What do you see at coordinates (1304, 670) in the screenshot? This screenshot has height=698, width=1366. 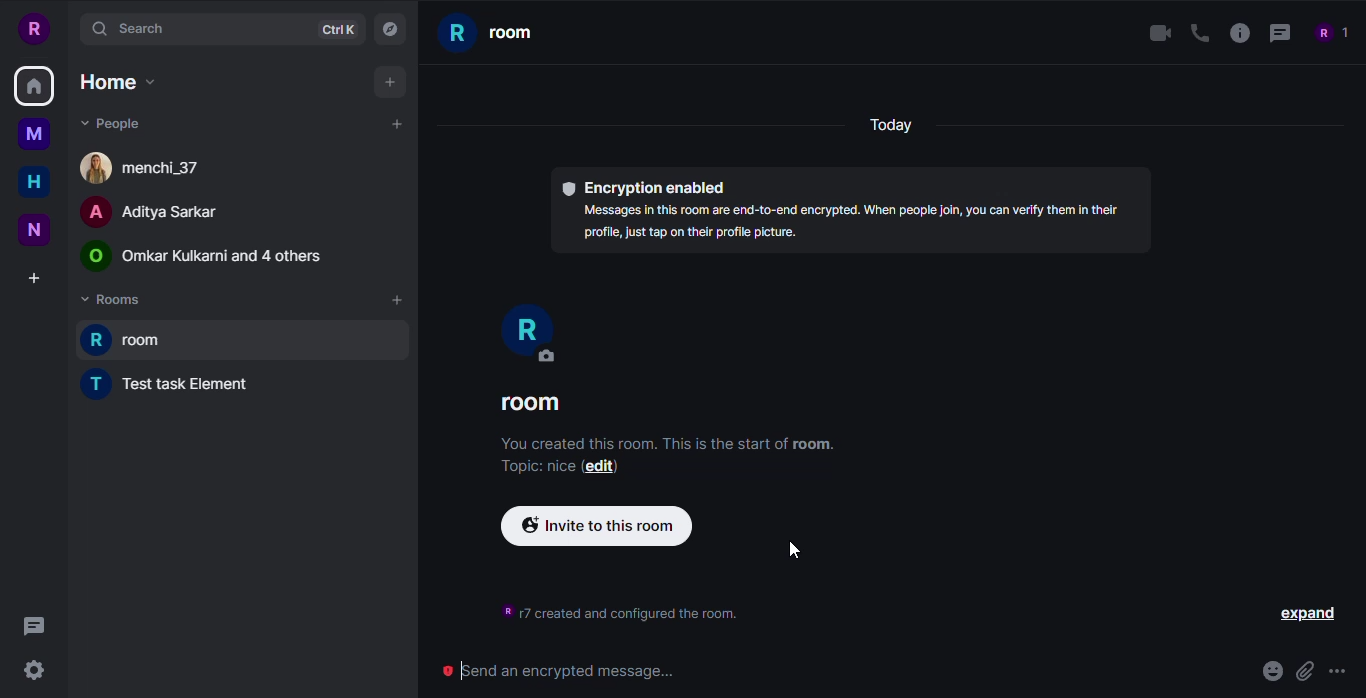 I see `attach` at bounding box center [1304, 670].